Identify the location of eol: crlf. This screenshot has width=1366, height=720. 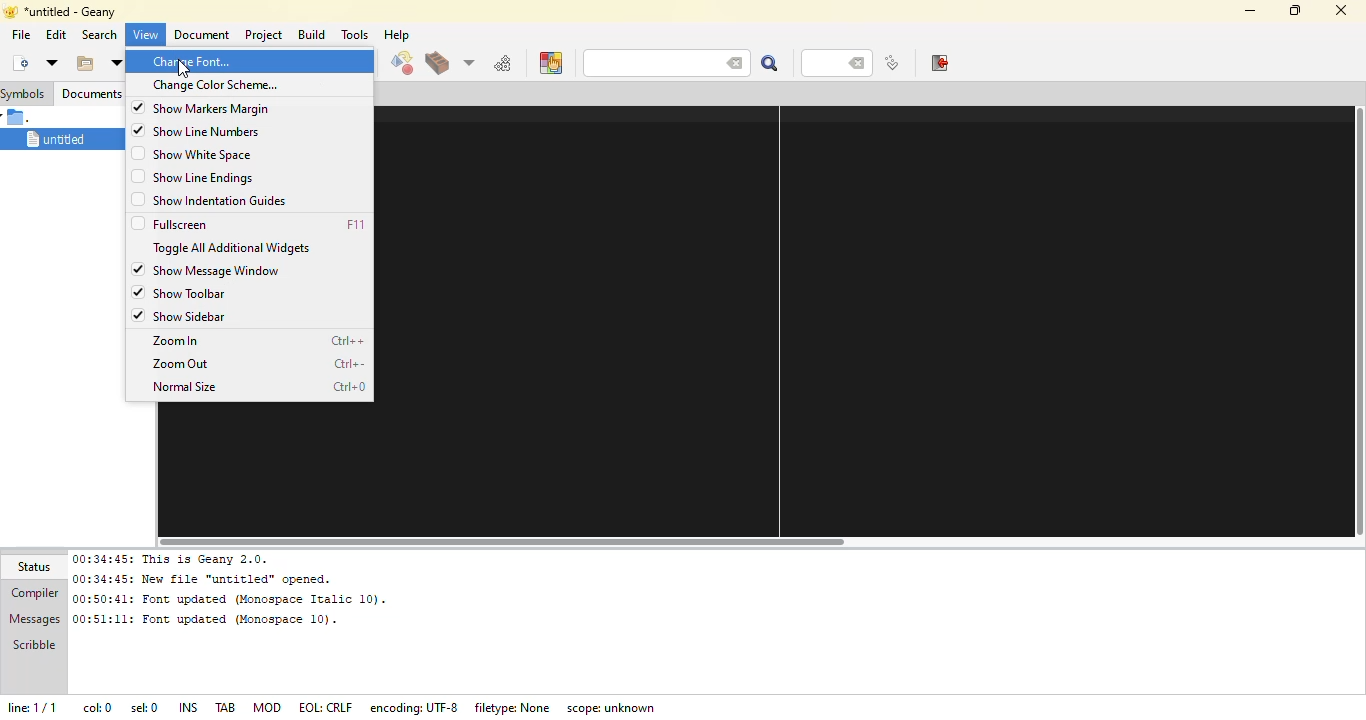
(325, 708).